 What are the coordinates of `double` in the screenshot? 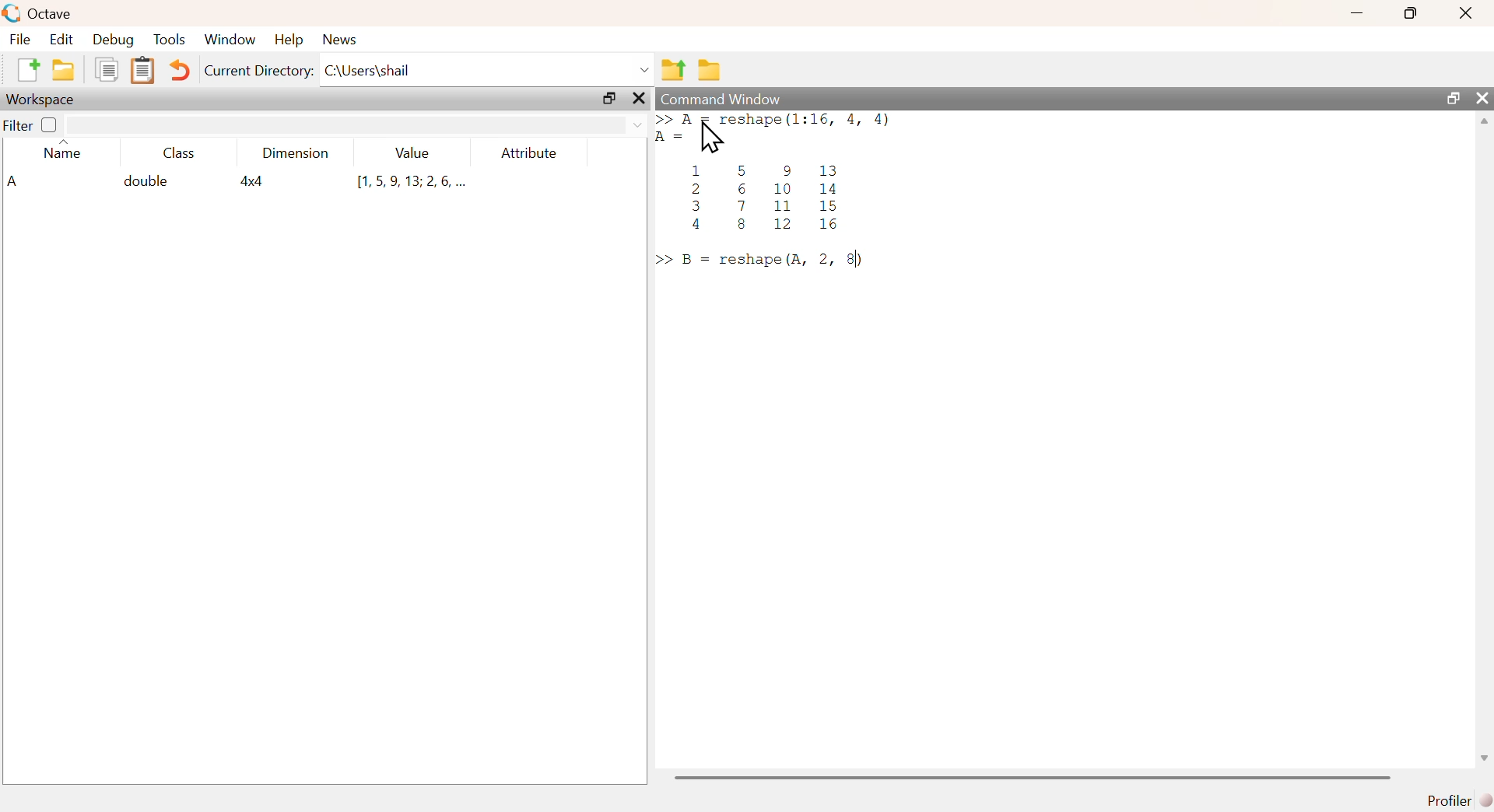 It's located at (146, 183).